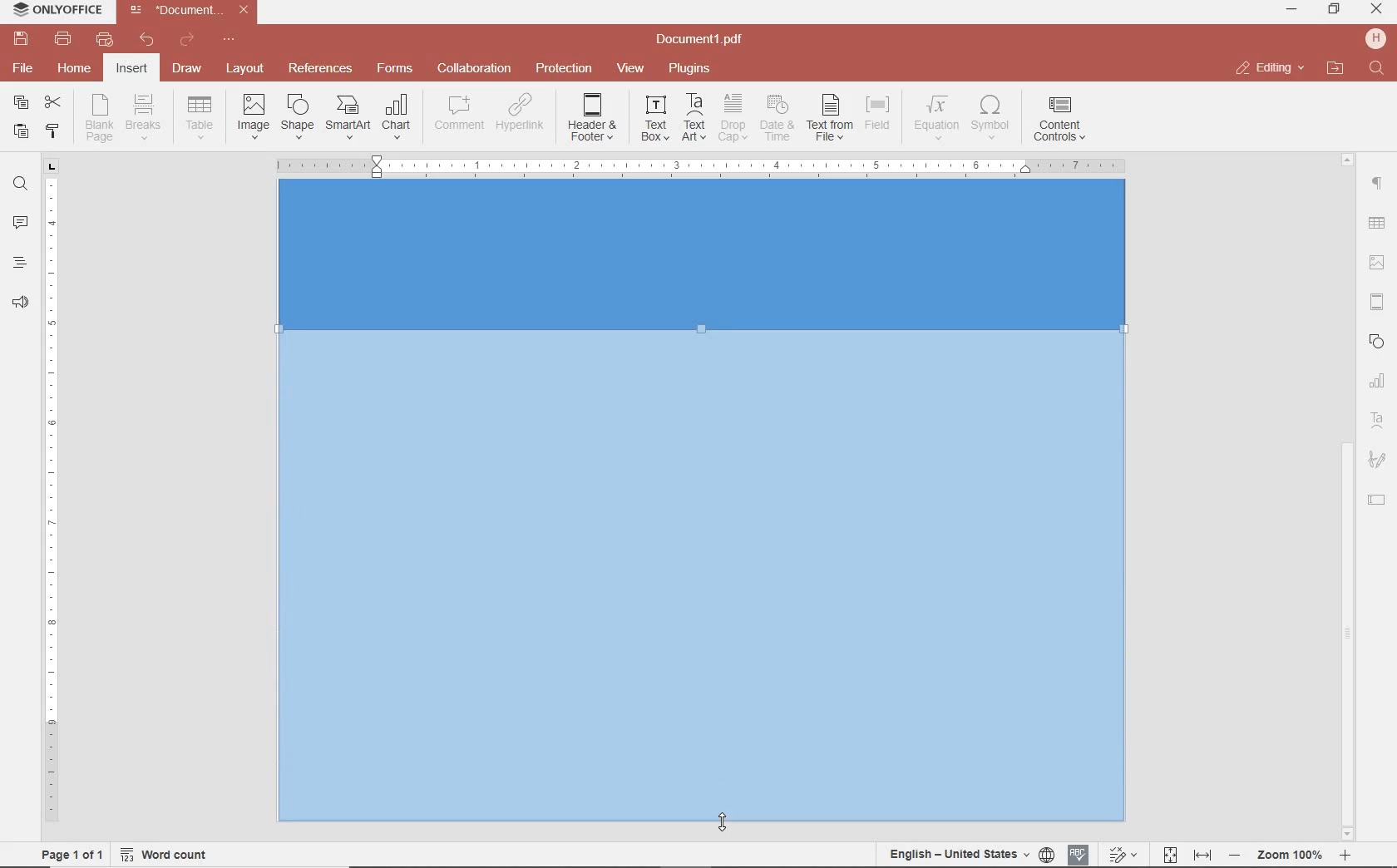  What do you see at coordinates (1378, 264) in the screenshot?
I see `IMAGE` at bounding box center [1378, 264].